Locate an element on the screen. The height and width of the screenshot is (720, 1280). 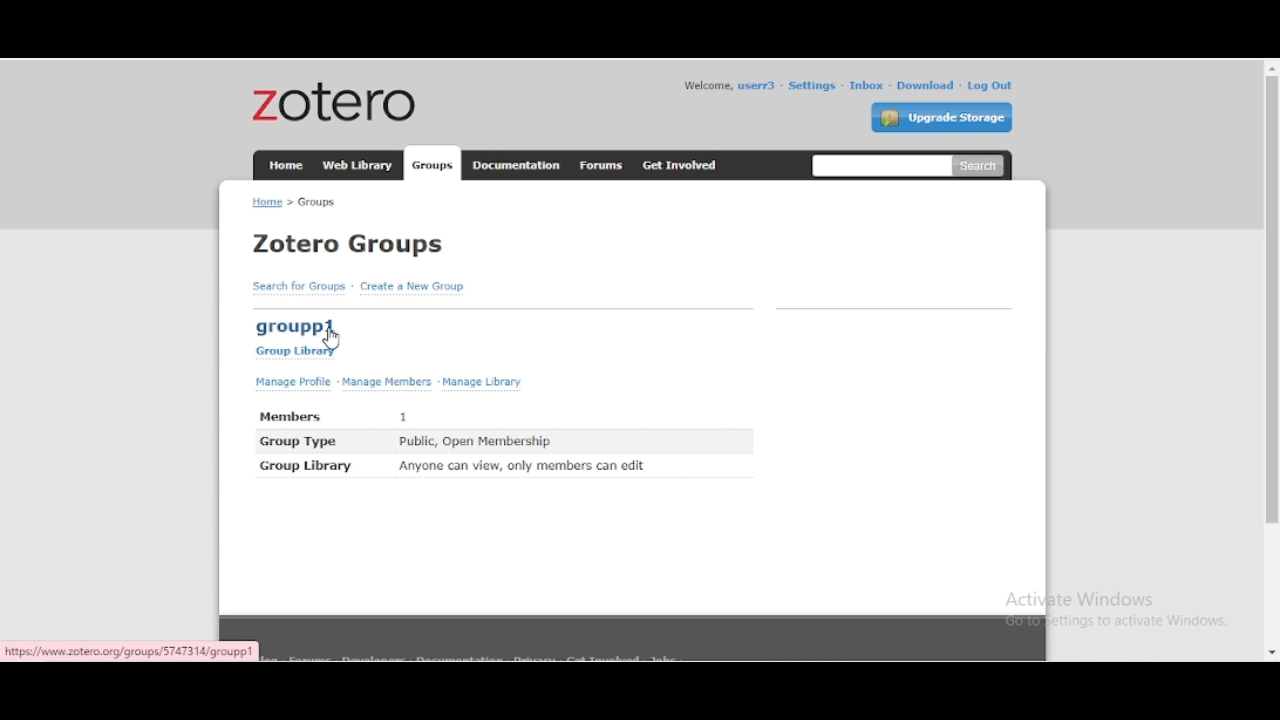
zotero is located at coordinates (335, 101).